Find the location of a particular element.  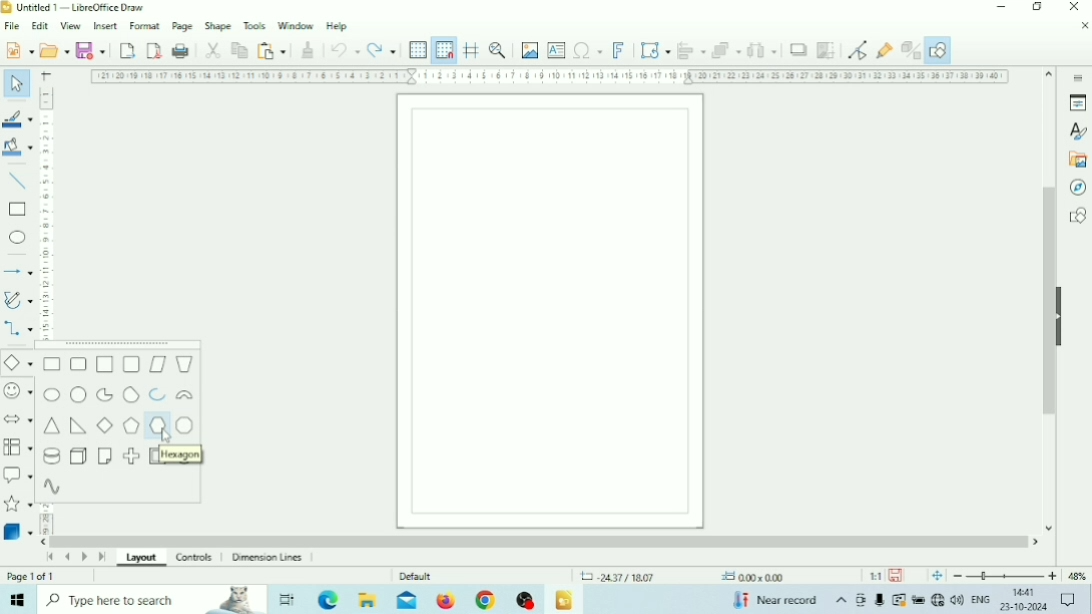

Cross is located at coordinates (131, 456).